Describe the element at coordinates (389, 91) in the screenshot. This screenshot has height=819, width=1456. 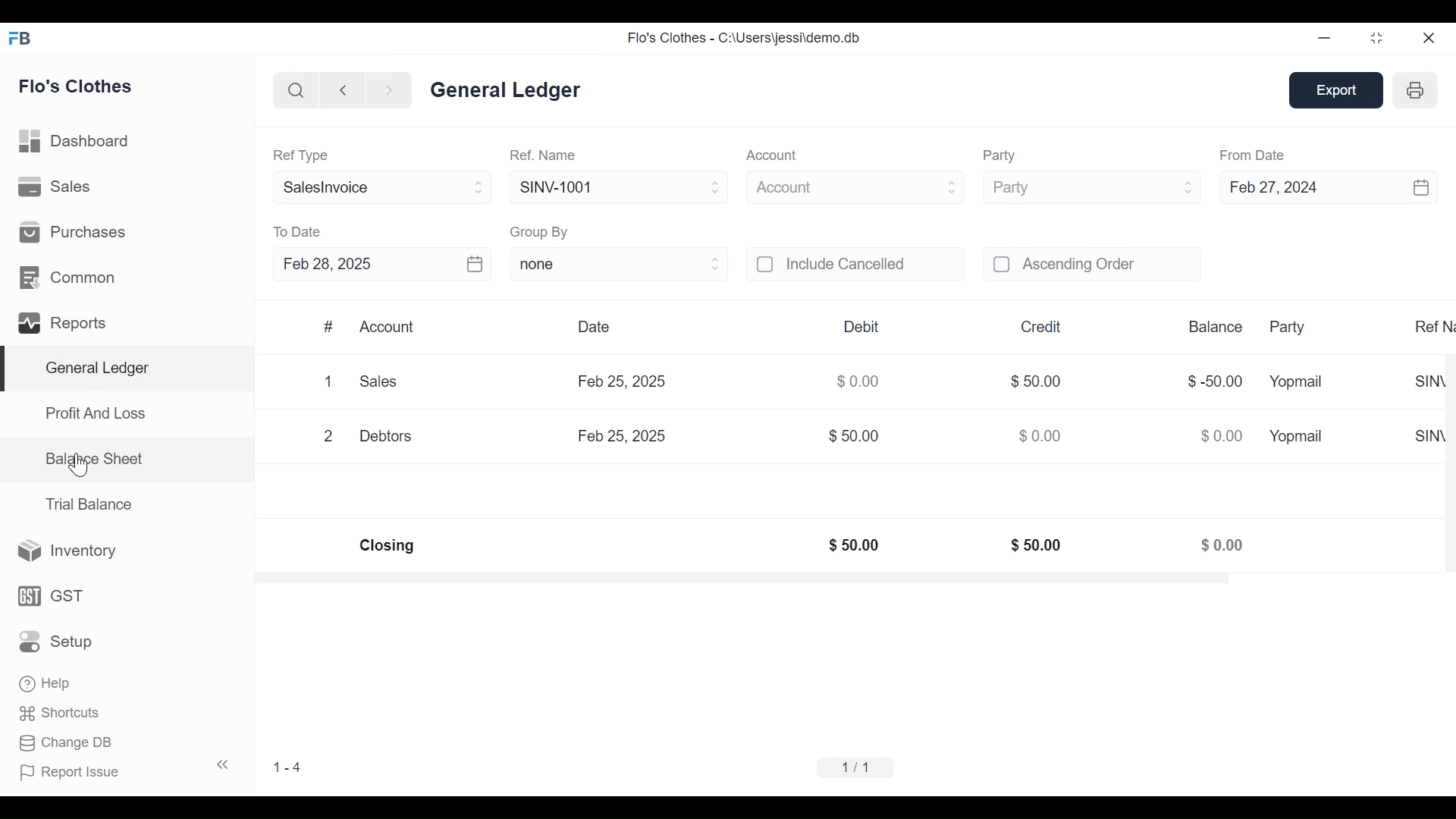
I see `forward` at that location.